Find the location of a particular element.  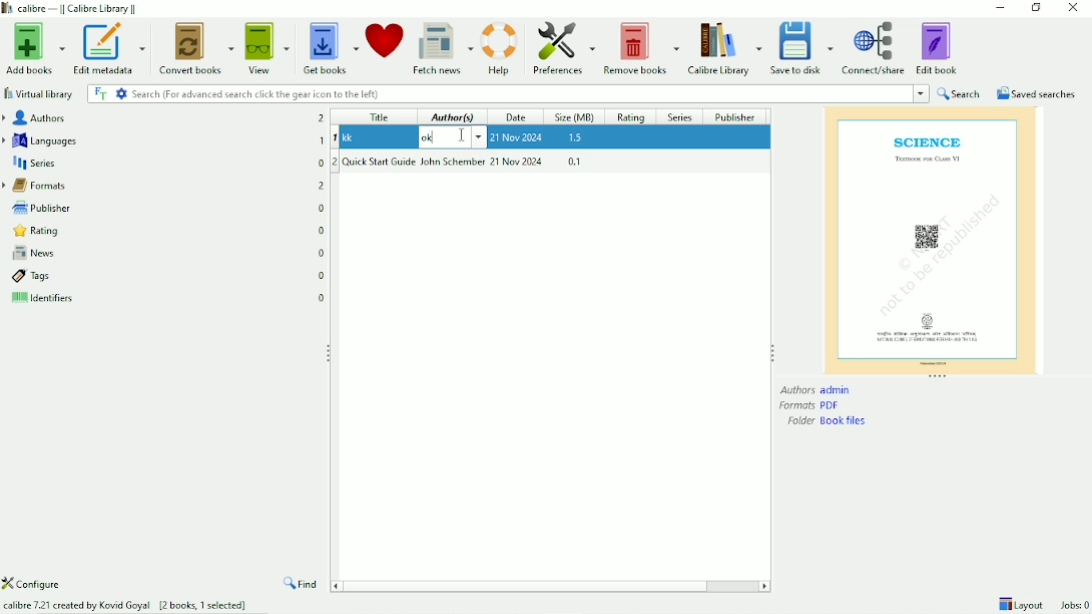

Publisher is located at coordinates (162, 208).